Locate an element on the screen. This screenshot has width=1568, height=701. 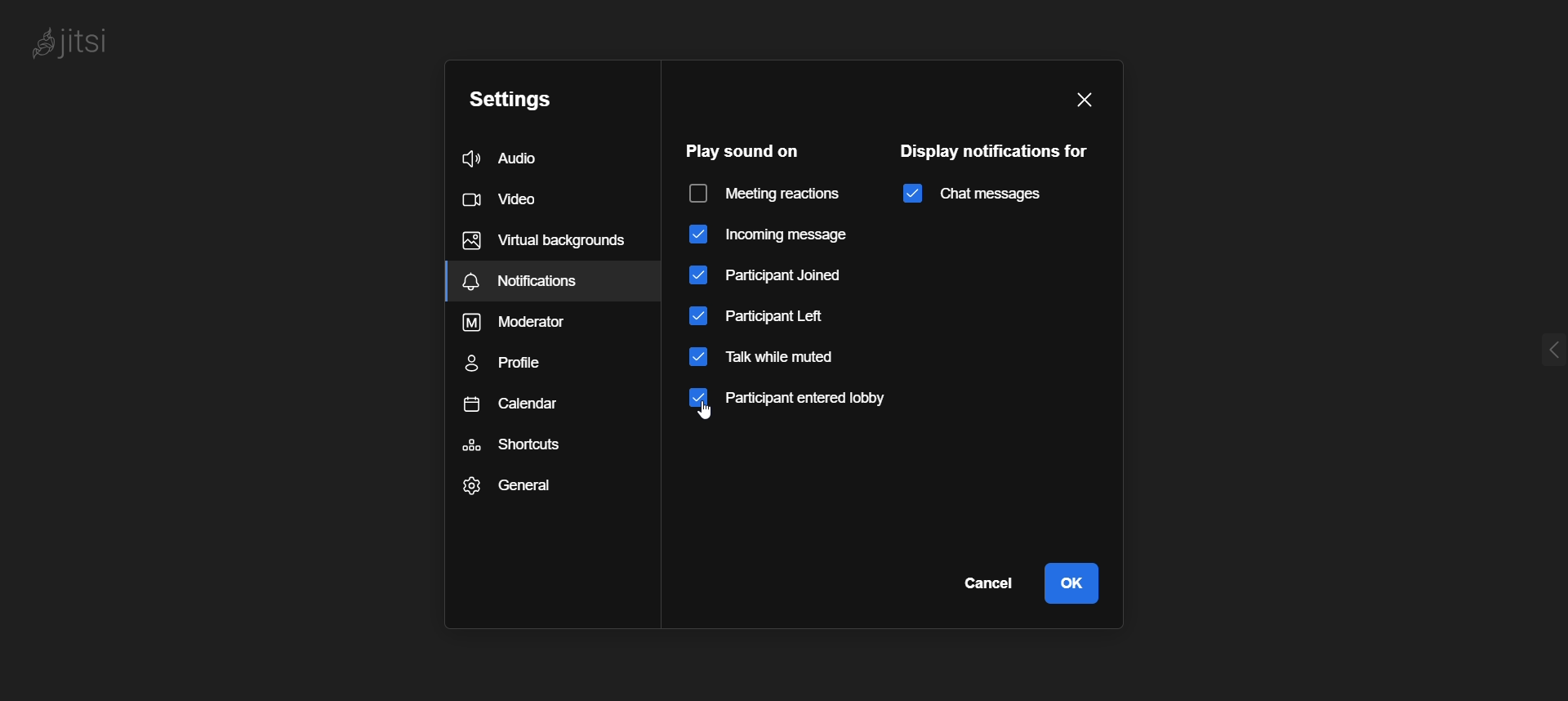
Cancel is located at coordinates (985, 581).